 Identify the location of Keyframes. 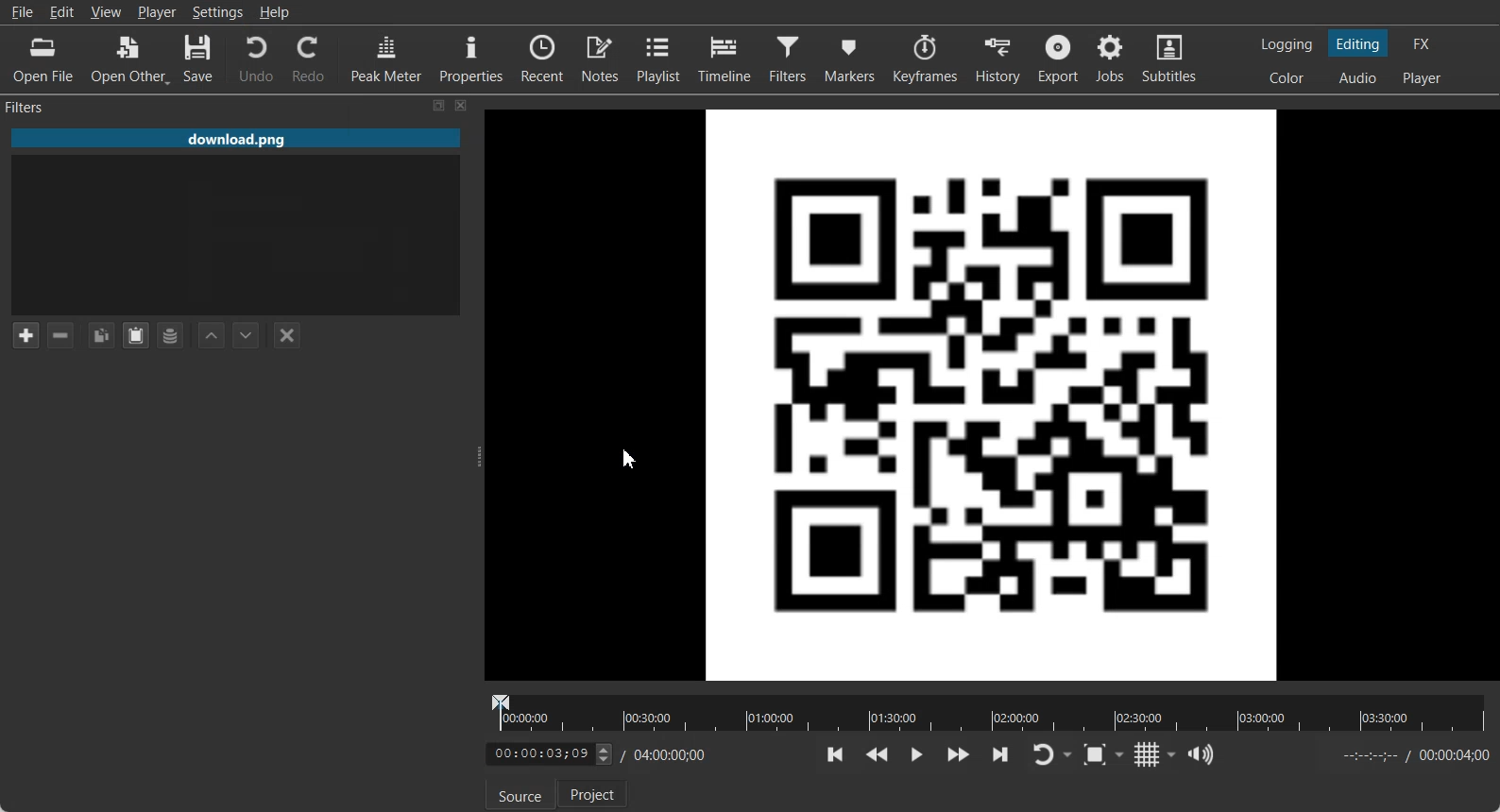
(924, 59).